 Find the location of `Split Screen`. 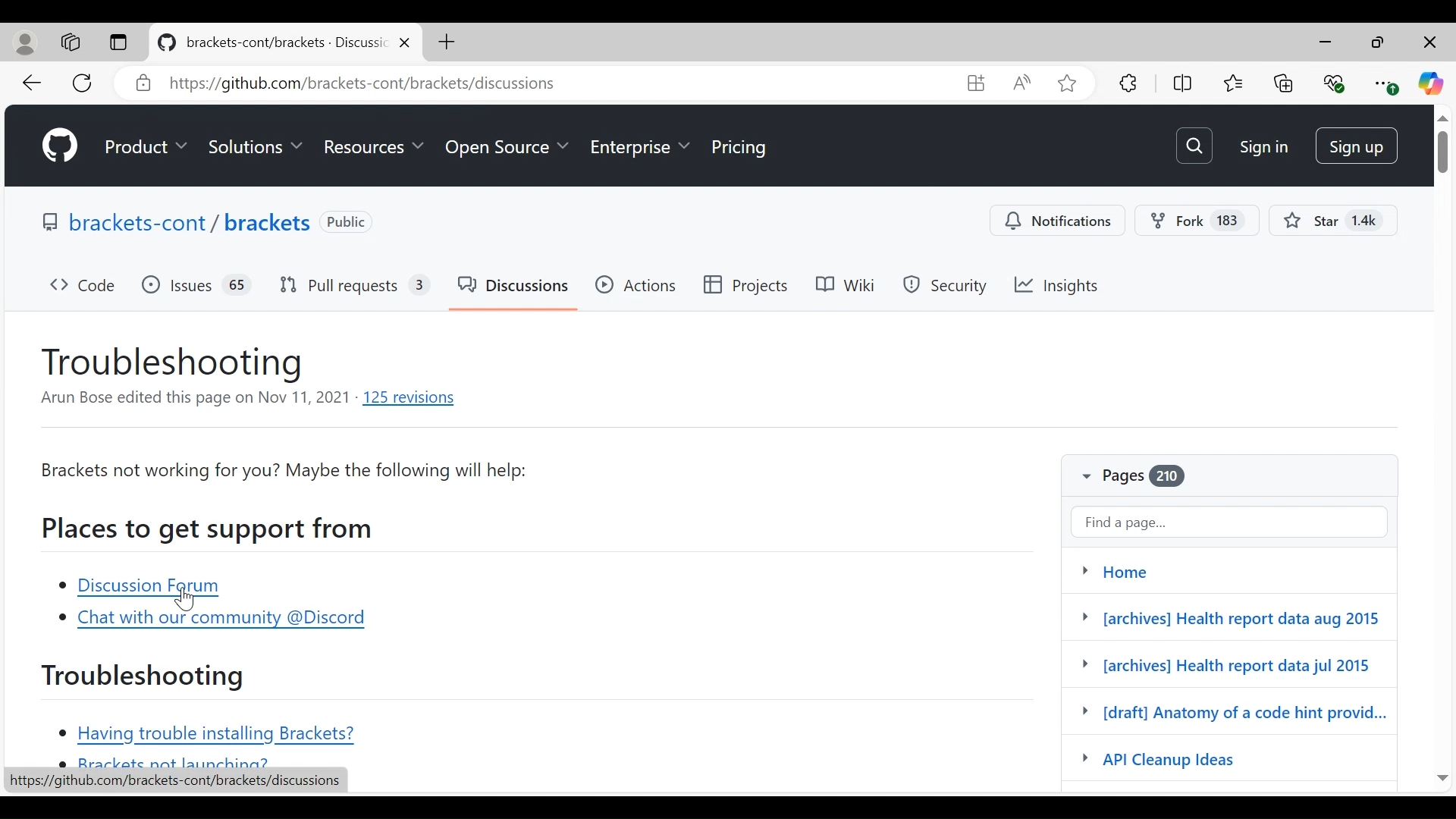

Split Screen is located at coordinates (1183, 82).